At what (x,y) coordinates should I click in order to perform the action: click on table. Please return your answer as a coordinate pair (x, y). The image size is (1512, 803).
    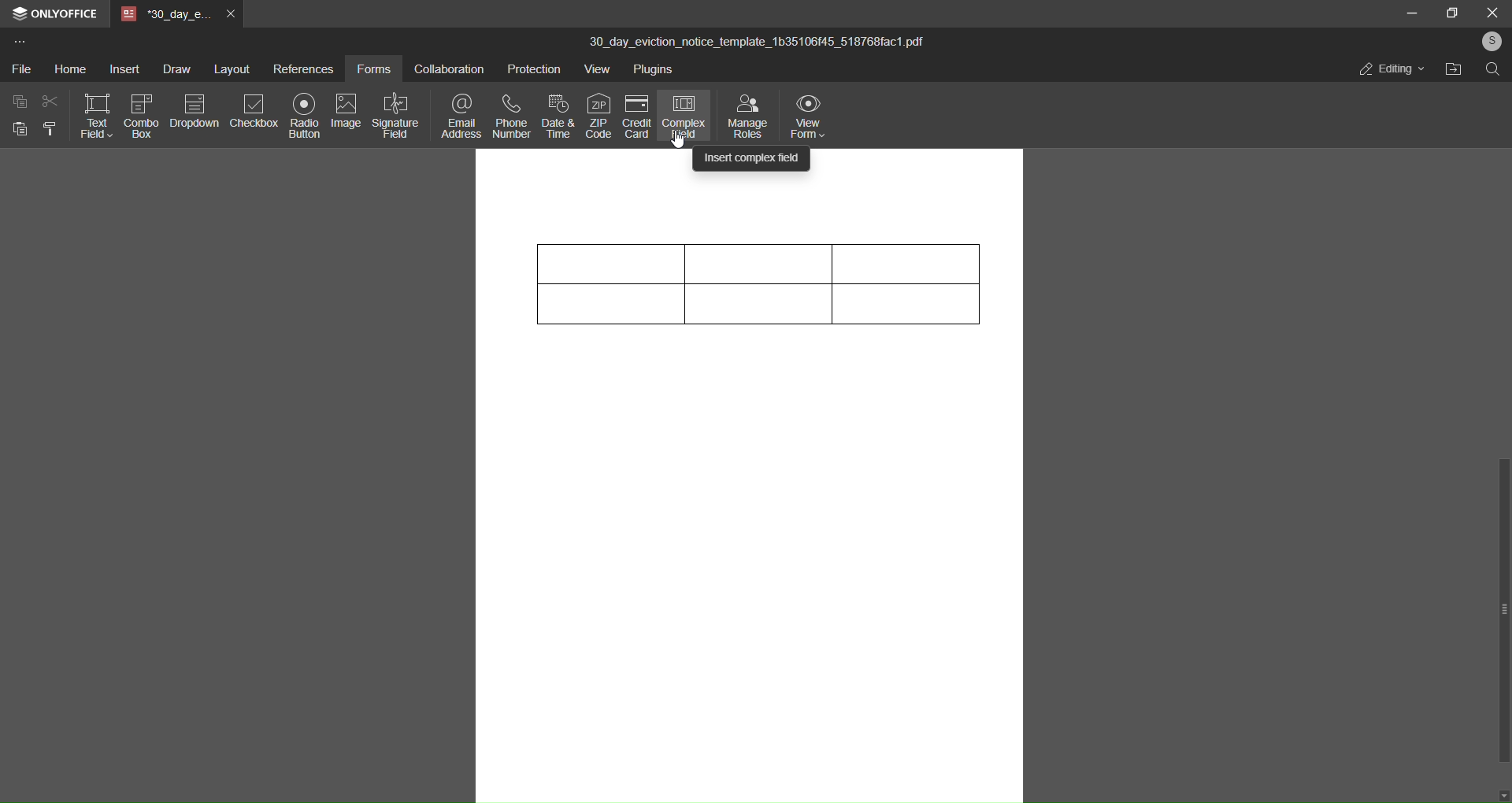
    Looking at the image, I should click on (755, 290).